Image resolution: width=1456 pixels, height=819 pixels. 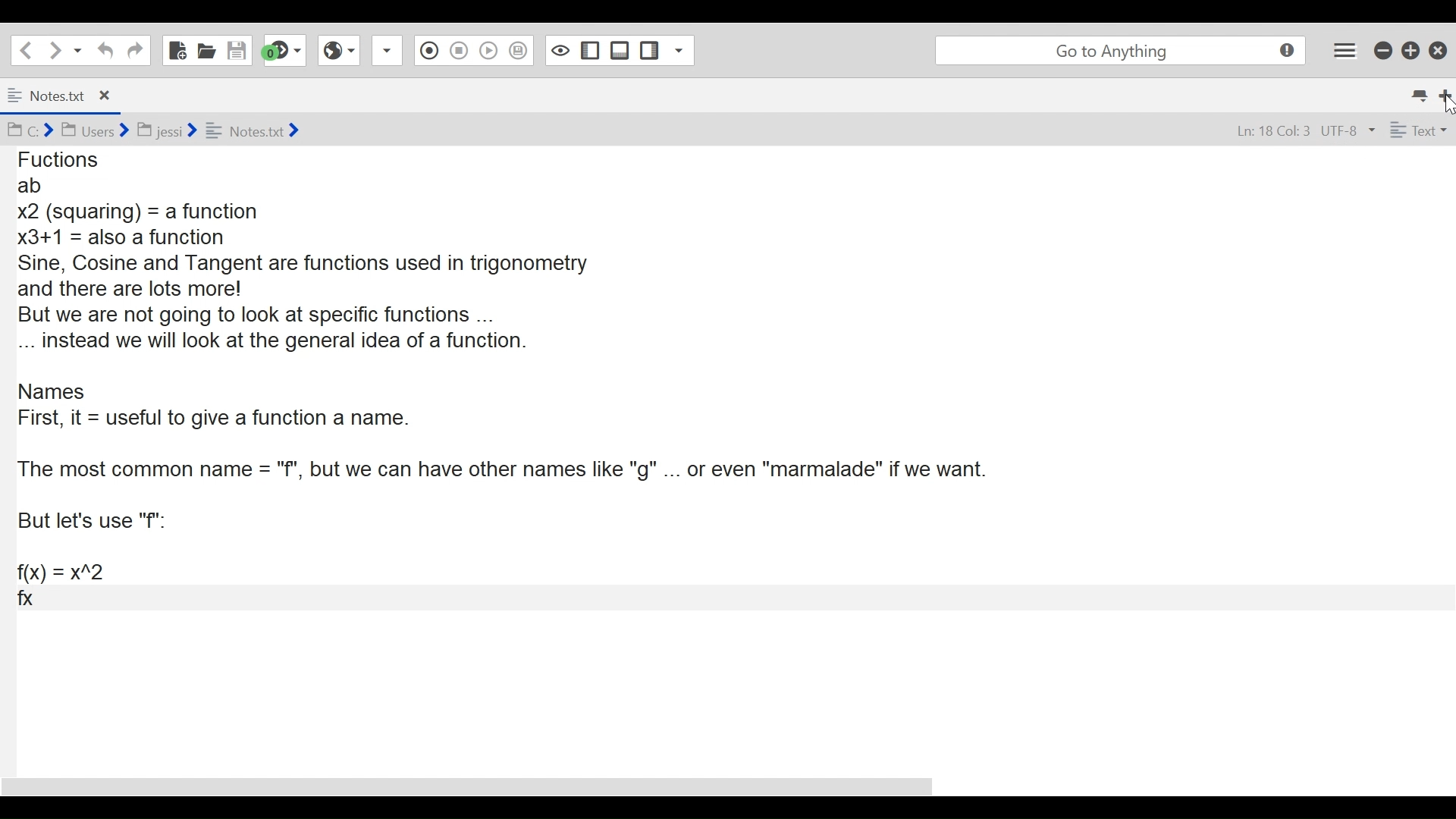 What do you see at coordinates (1269, 132) in the screenshot?
I see `ln:18 col:3` at bounding box center [1269, 132].